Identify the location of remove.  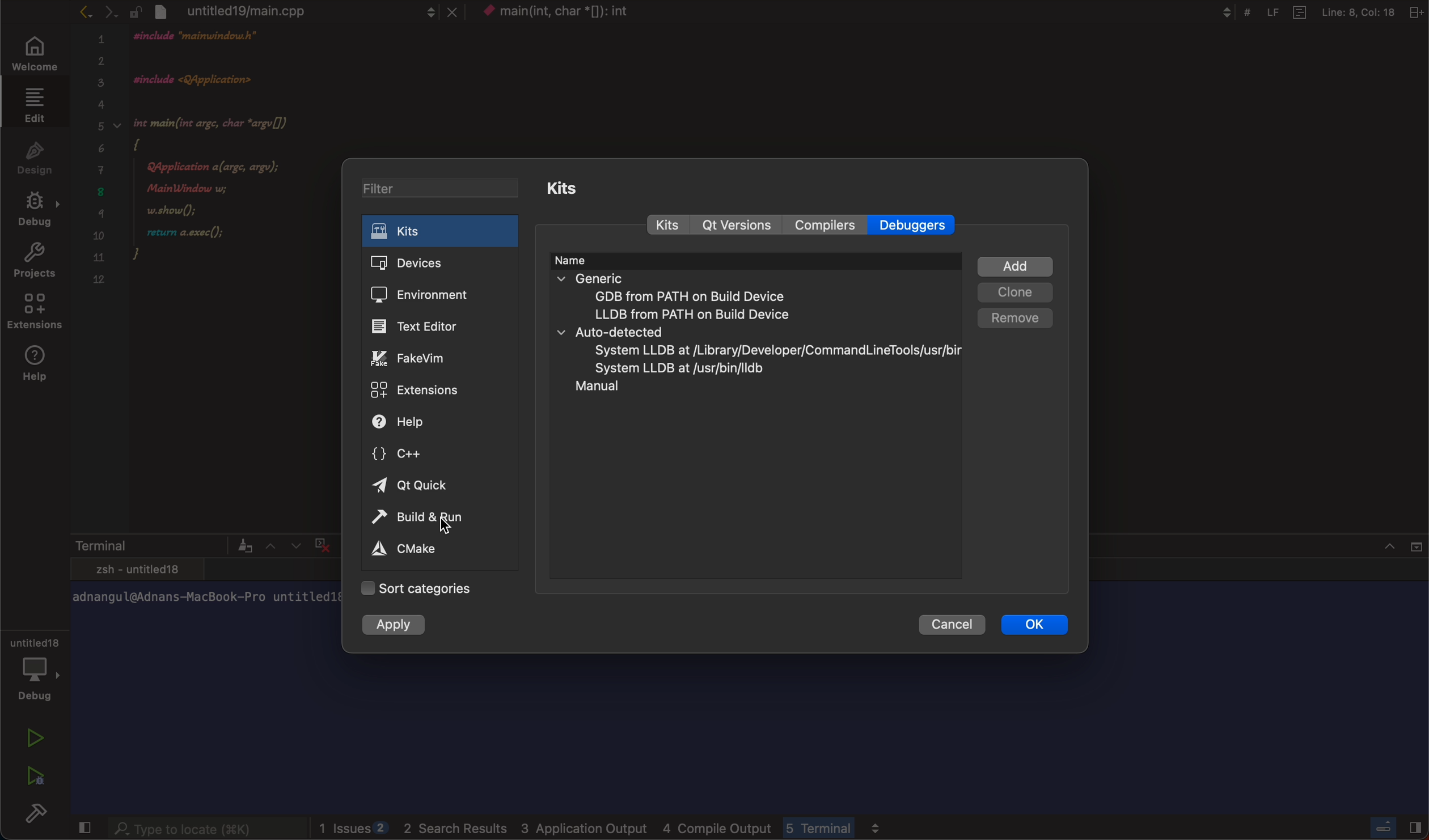
(1015, 315).